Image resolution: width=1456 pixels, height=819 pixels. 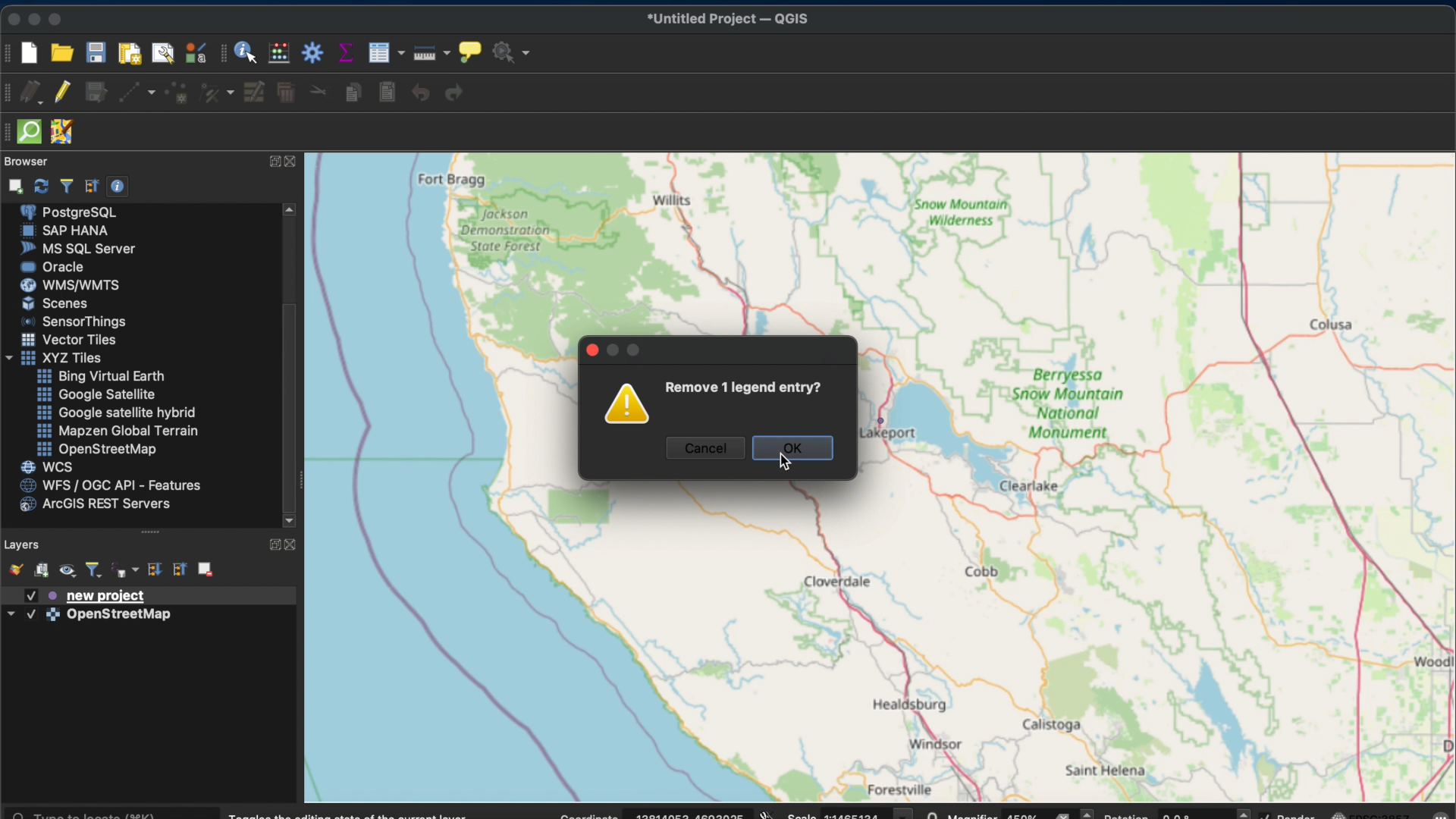 I want to click on cut features, so click(x=320, y=93).